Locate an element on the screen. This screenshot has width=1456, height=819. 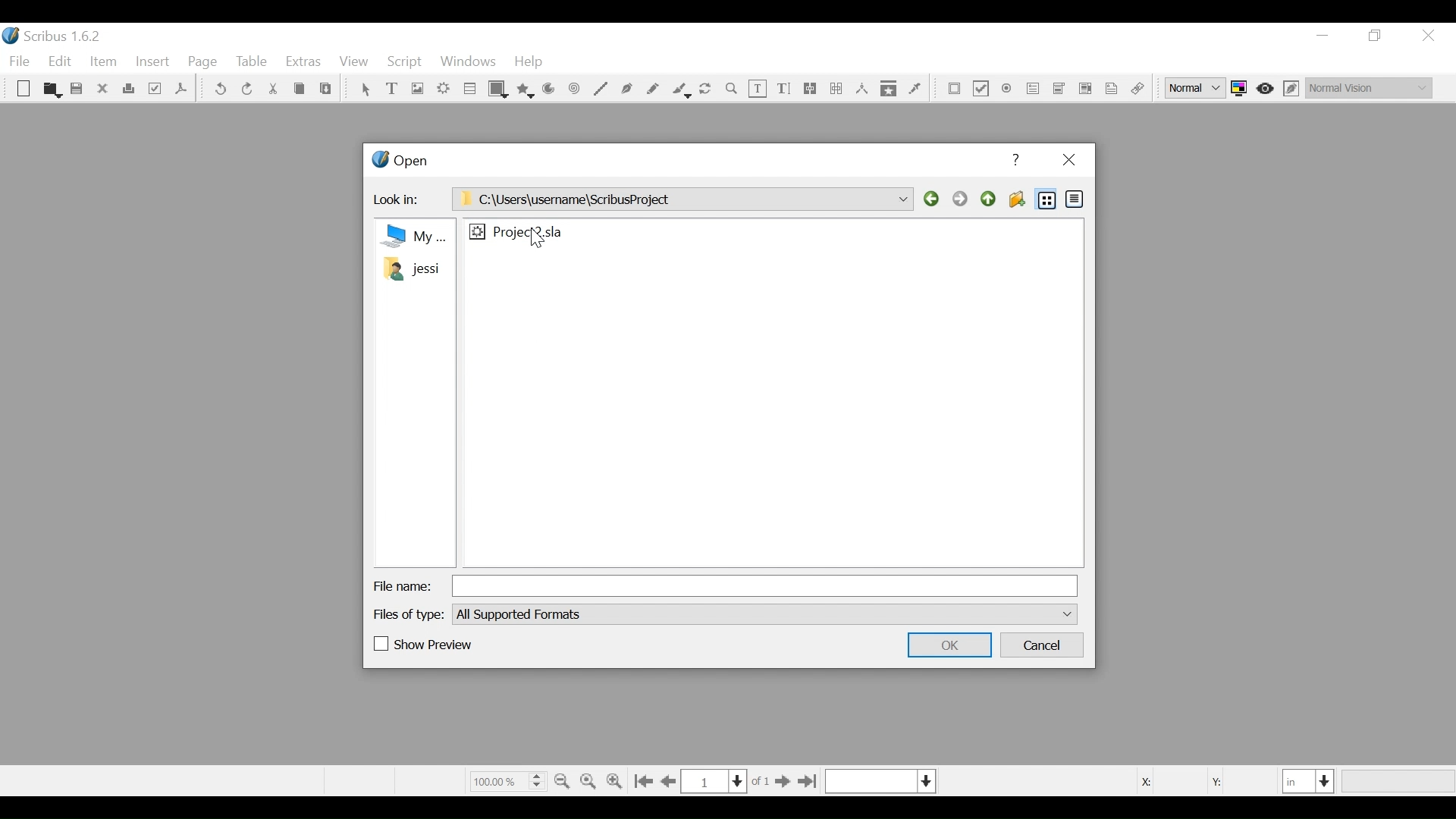
Arc is located at coordinates (549, 90).